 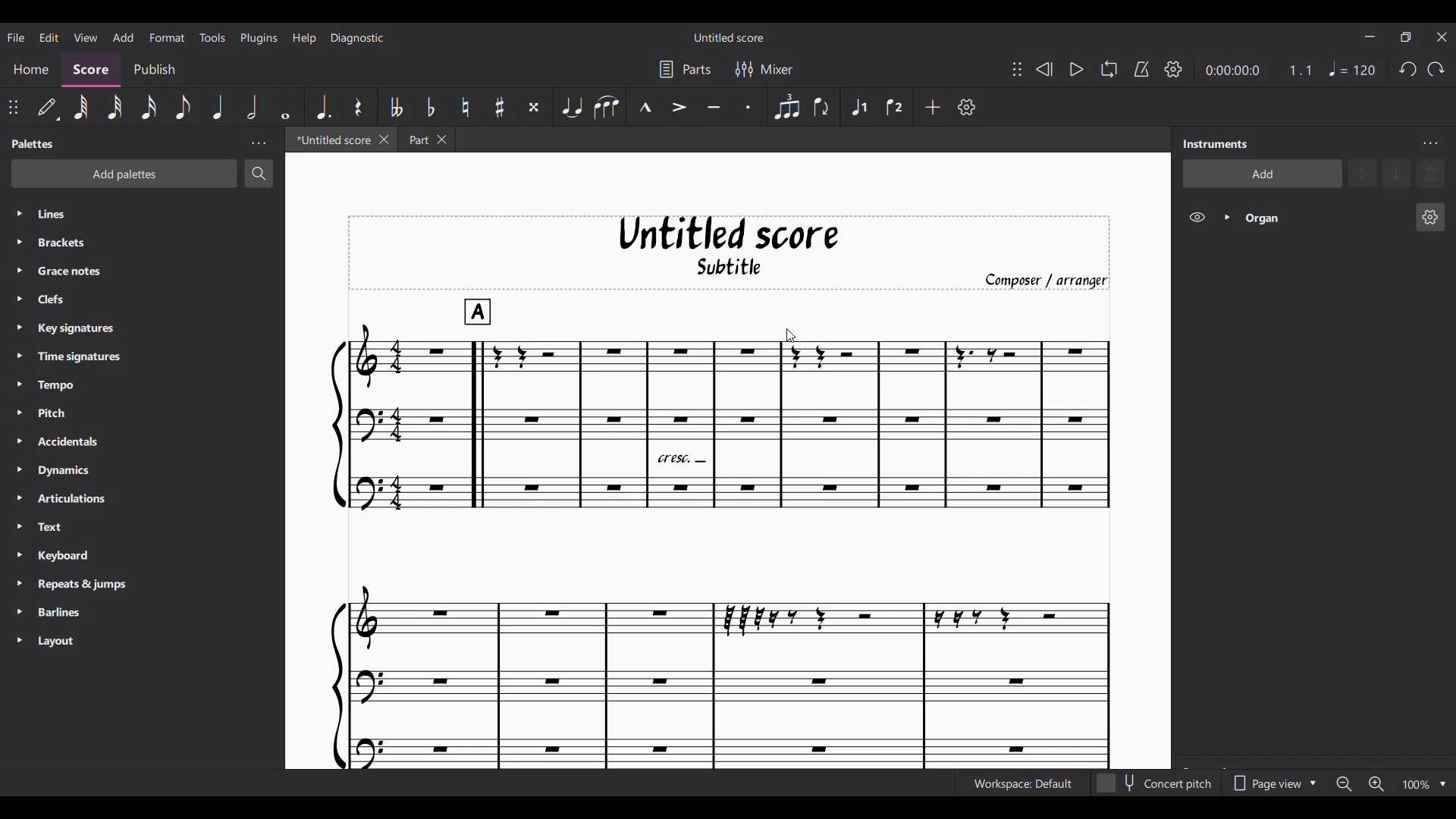 I want to click on Tools menu, so click(x=212, y=36).